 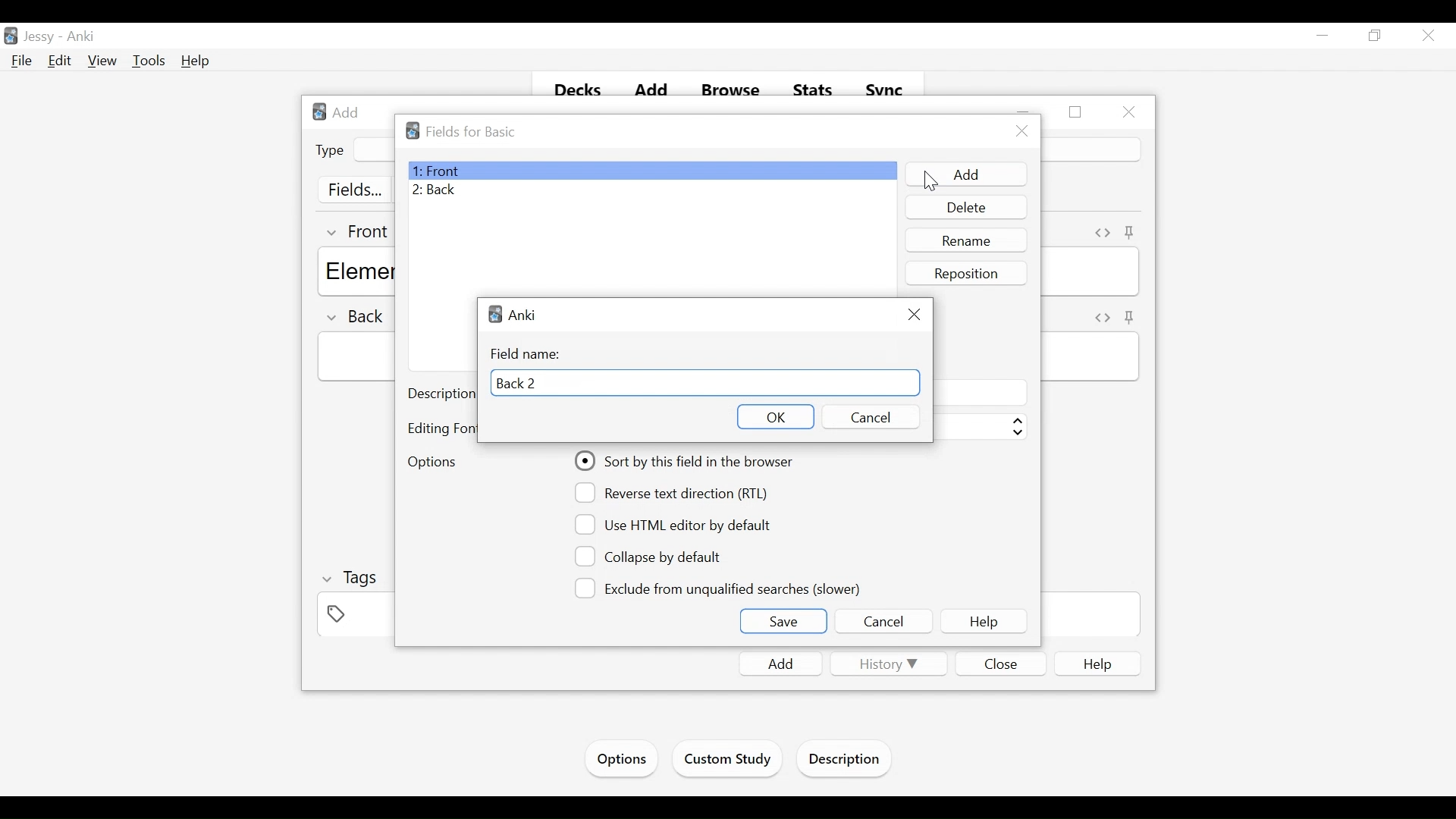 I want to click on Decks, so click(x=579, y=91).